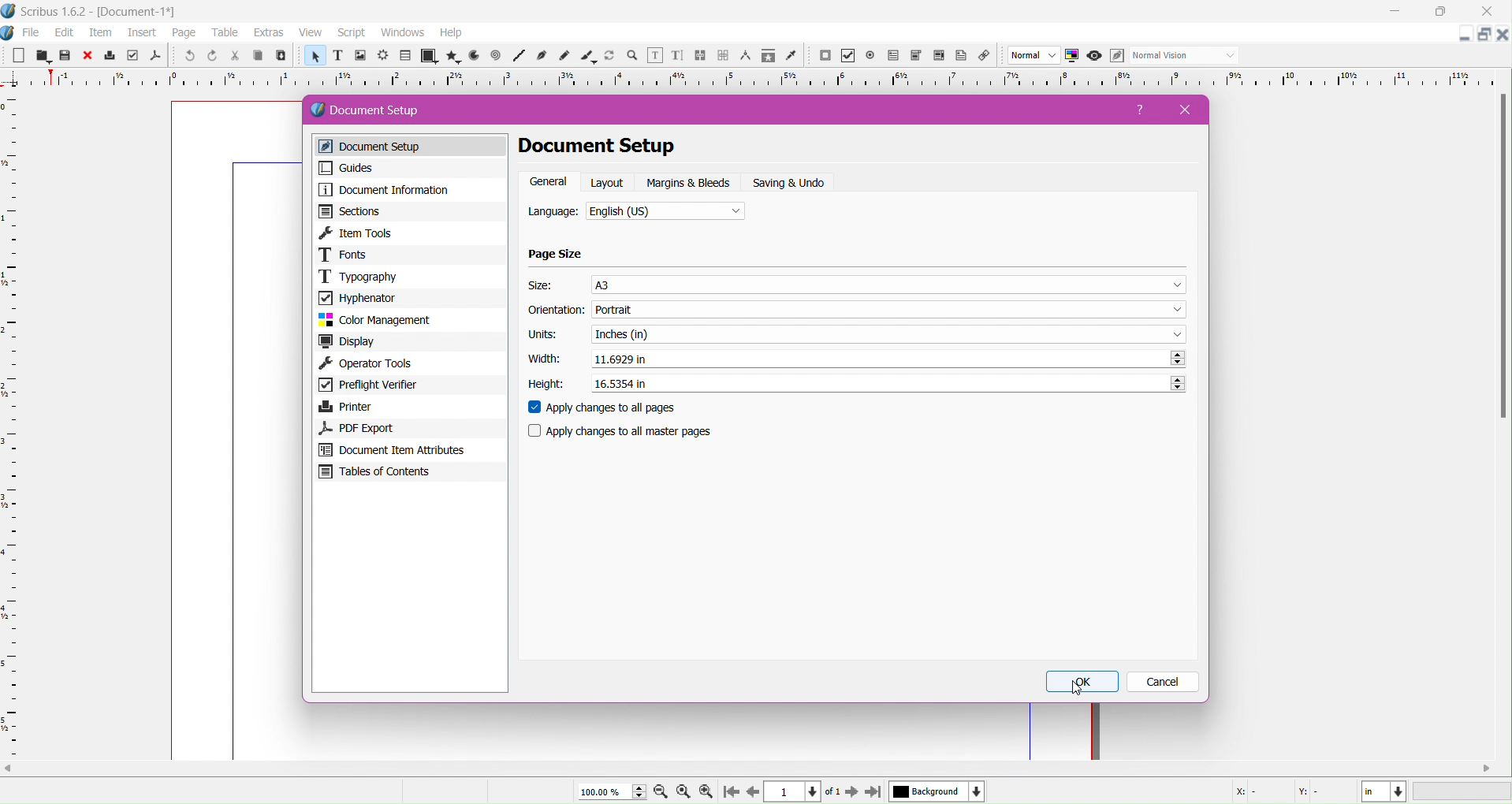 This screenshot has height=804, width=1512. I want to click on Units, so click(543, 335).